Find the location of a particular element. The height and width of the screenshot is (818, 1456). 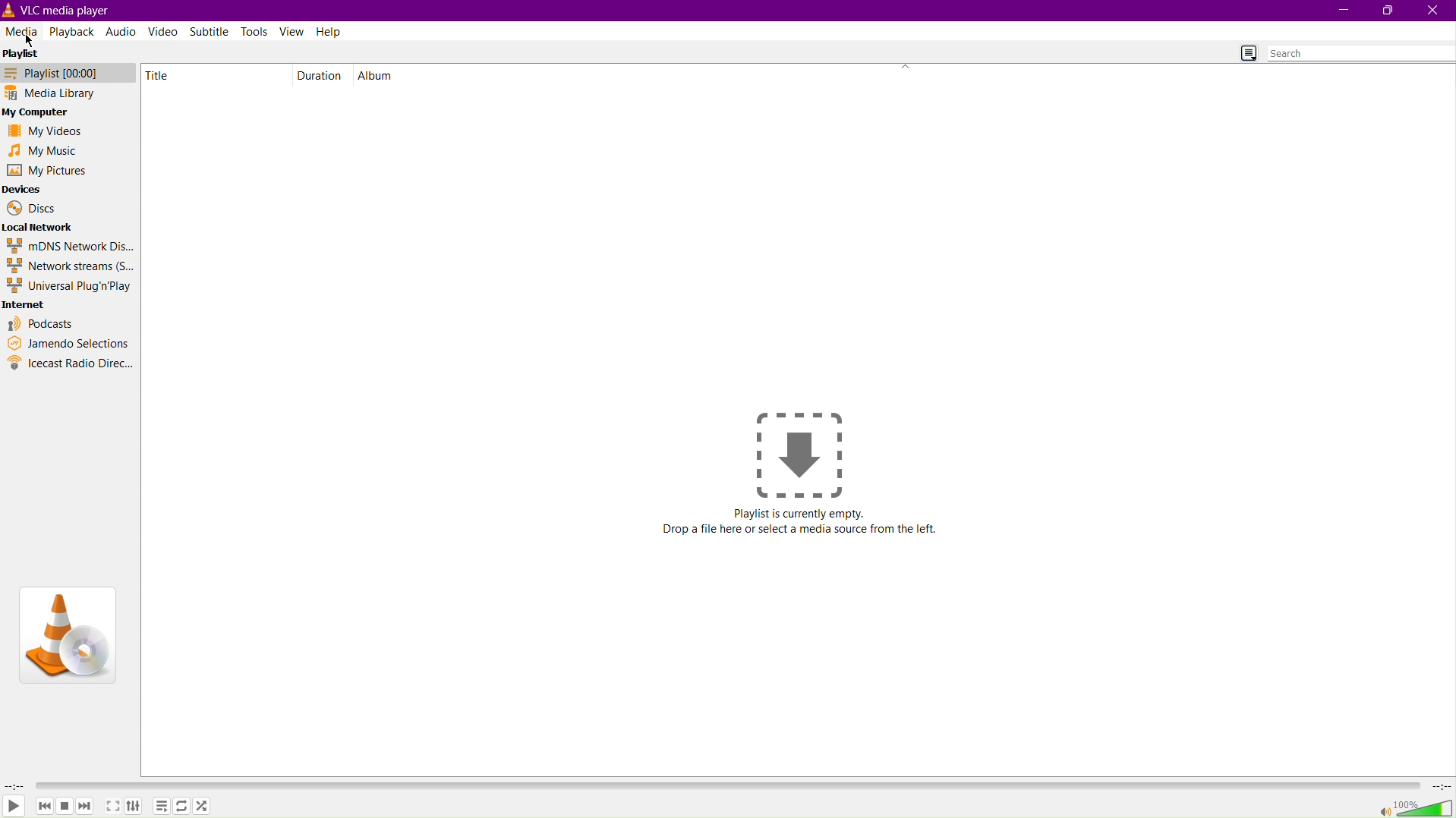

Tools is located at coordinates (255, 31).